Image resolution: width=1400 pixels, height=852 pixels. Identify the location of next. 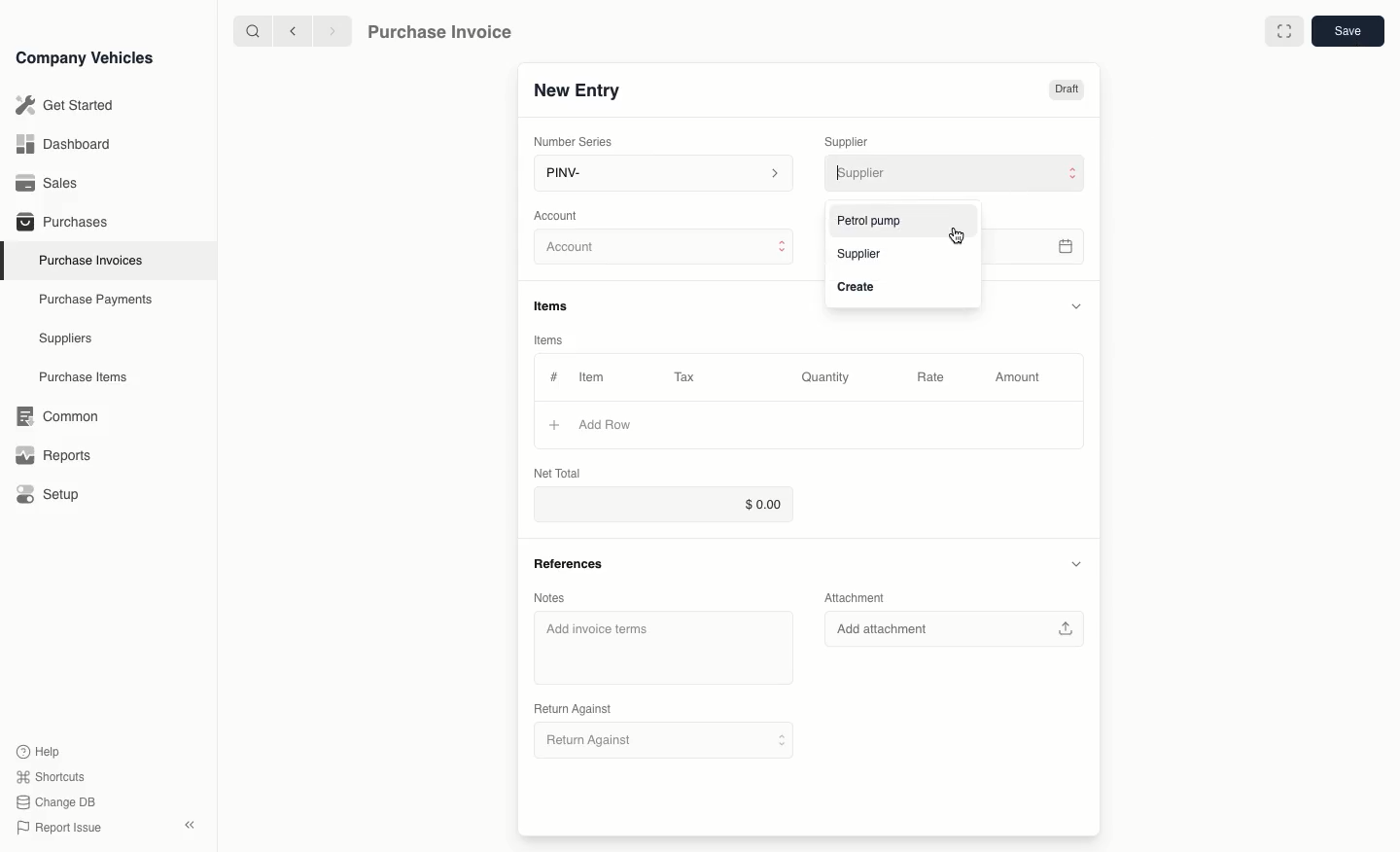
(332, 30).